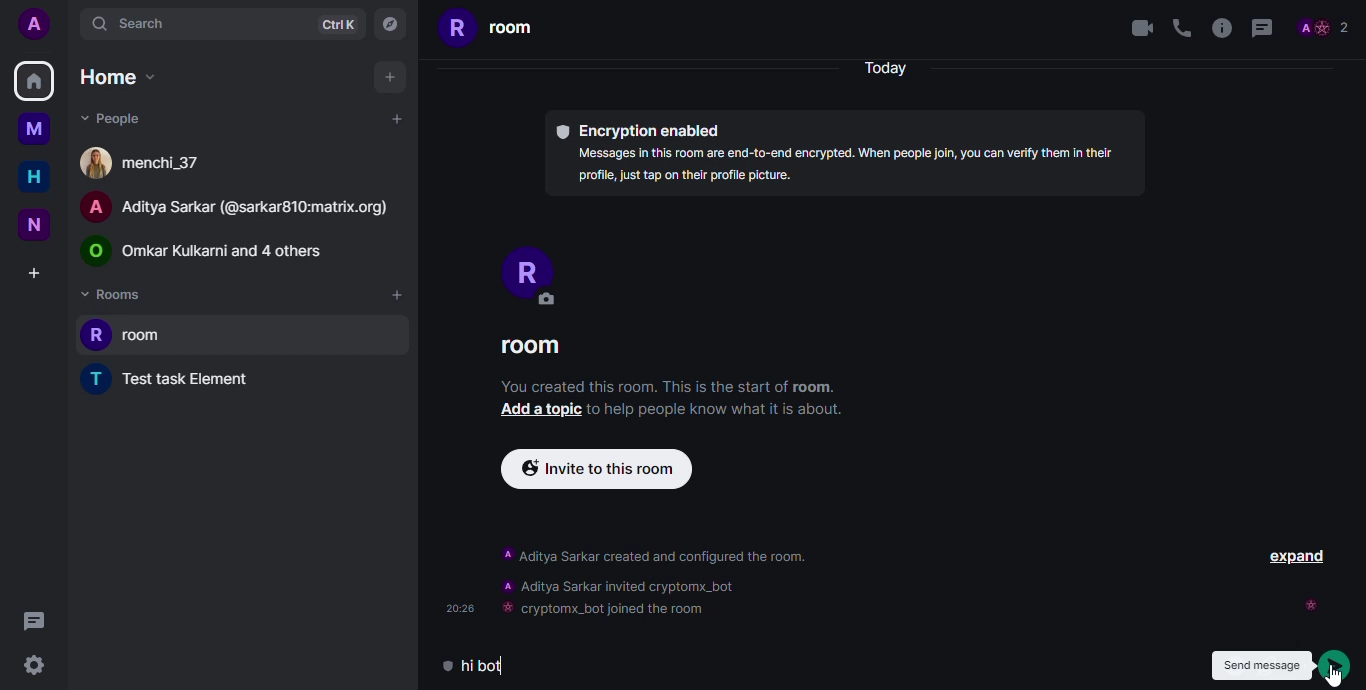  Describe the element at coordinates (229, 253) in the screenshot. I see `Omkar Kulkarni and 4 others` at that location.